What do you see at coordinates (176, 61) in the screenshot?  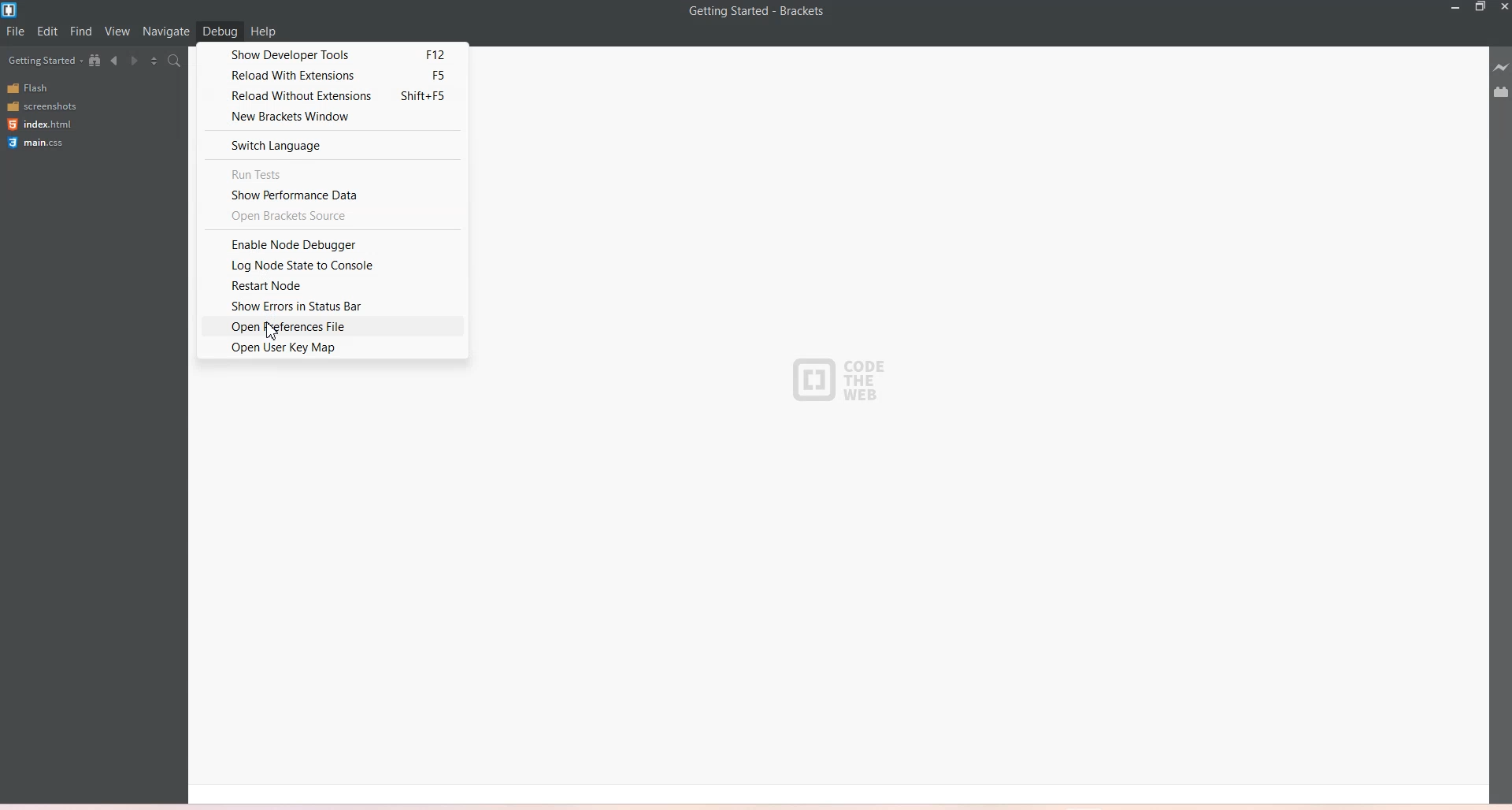 I see `Find in Files` at bounding box center [176, 61].